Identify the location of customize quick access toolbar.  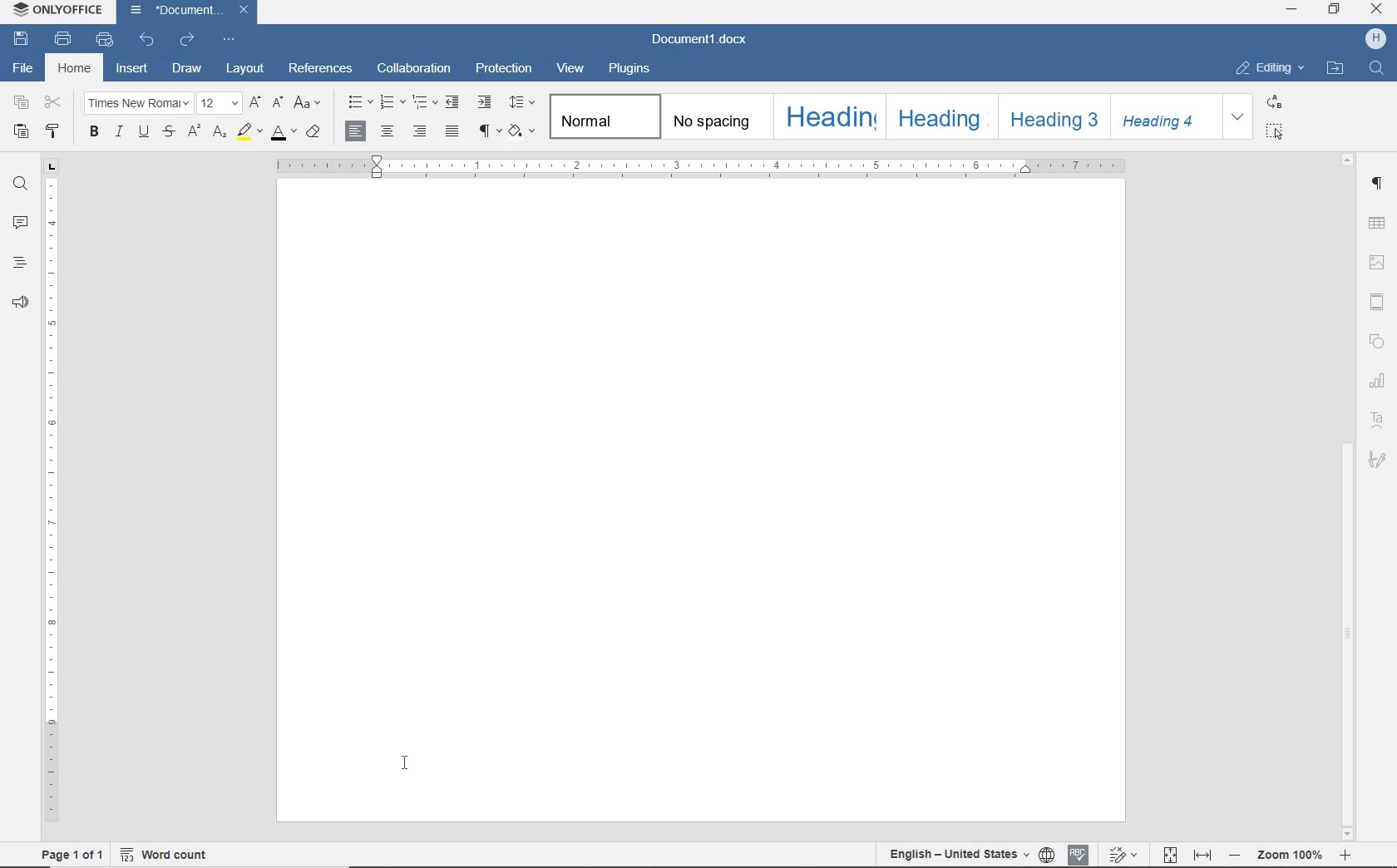
(229, 40).